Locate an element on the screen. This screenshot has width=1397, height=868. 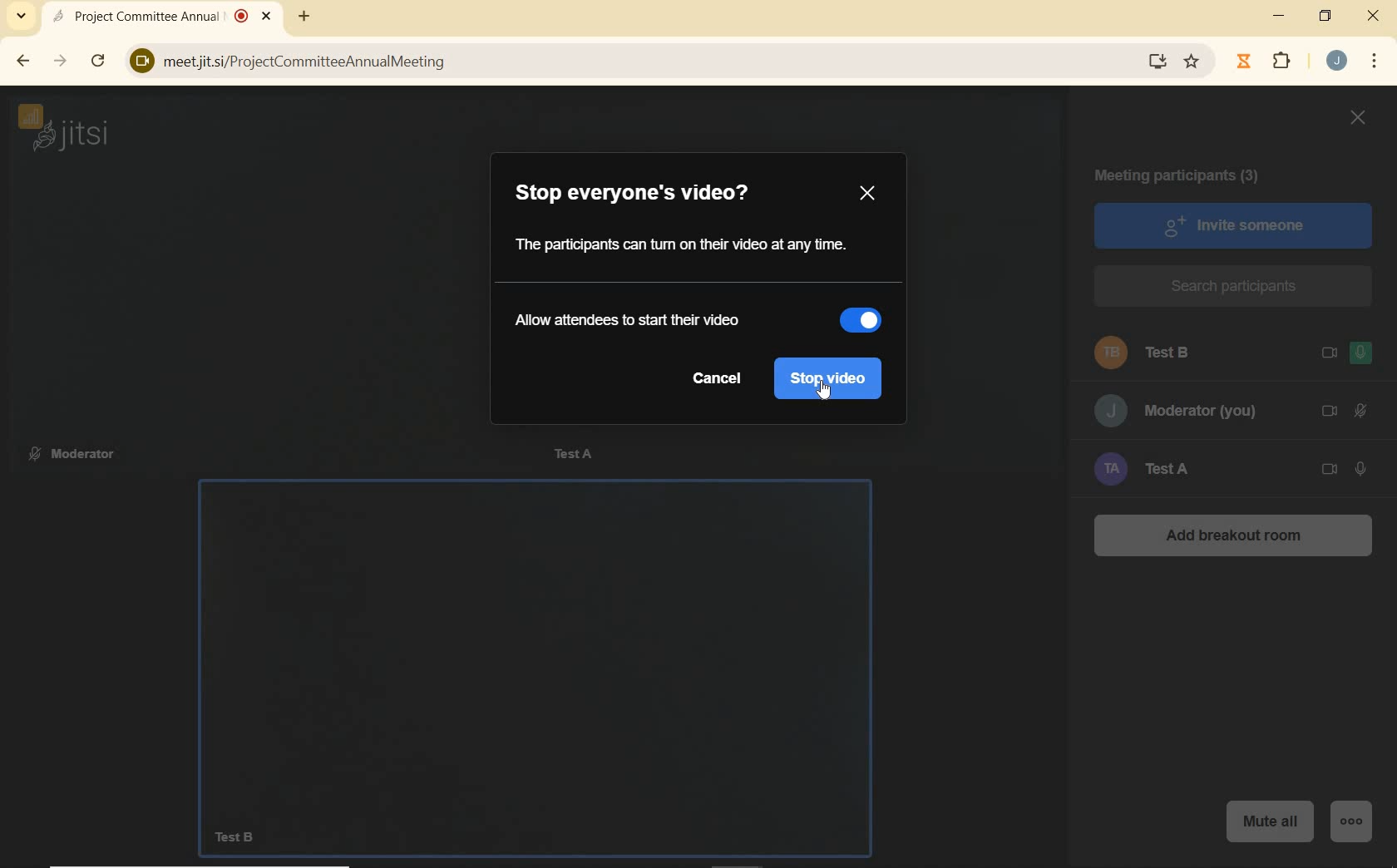
BACK is located at coordinates (22, 62).